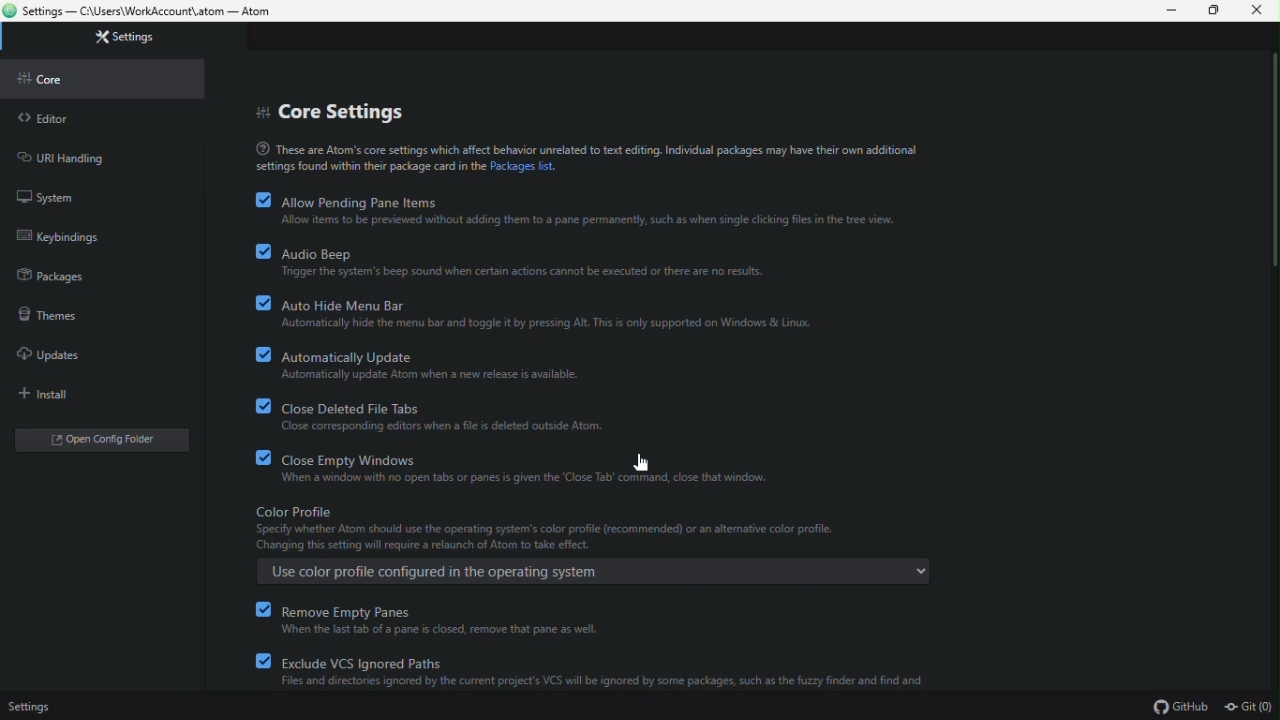  I want to click on Core, so click(103, 78).